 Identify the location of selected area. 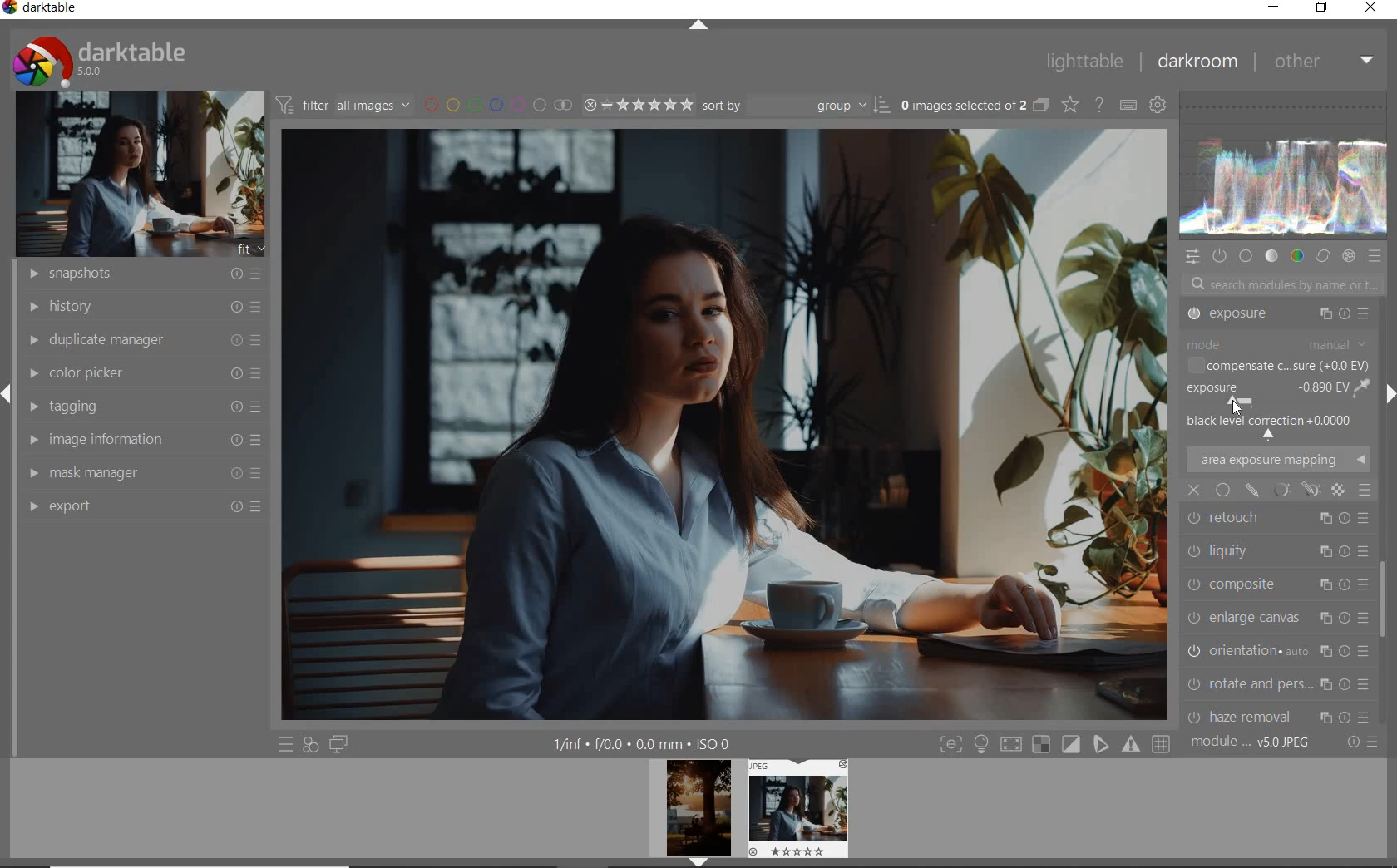
(886, 554).